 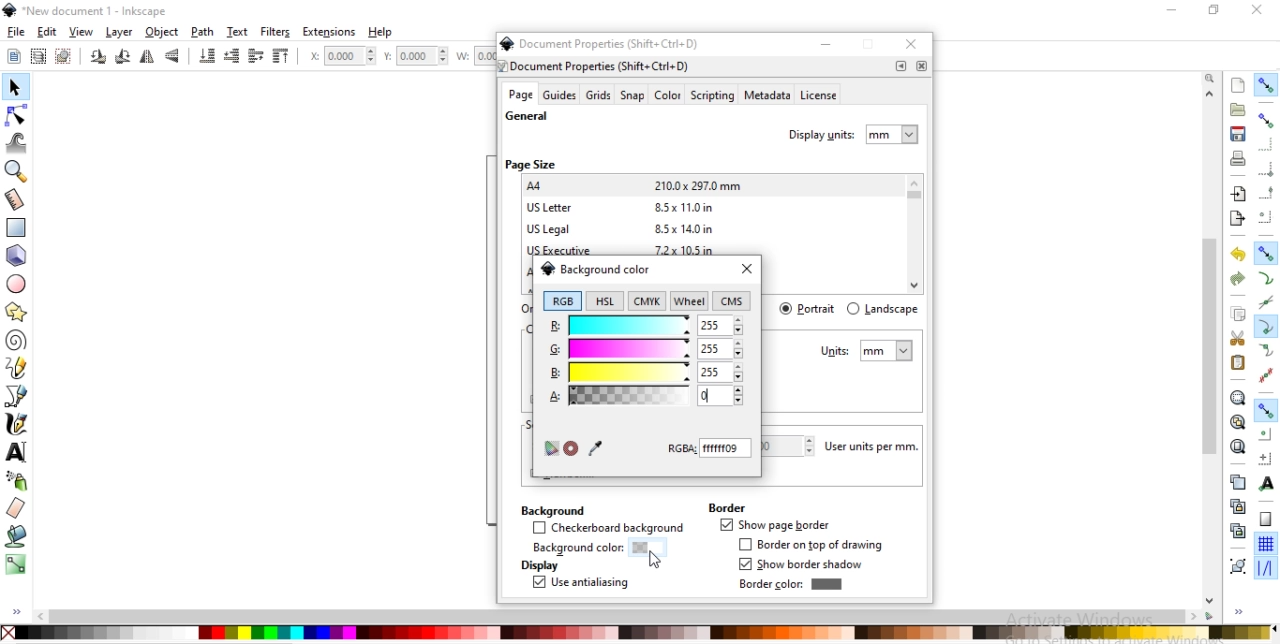 What do you see at coordinates (281, 57) in the screenshot?
I see `raise selection to top` at bounding box center [281, 57].